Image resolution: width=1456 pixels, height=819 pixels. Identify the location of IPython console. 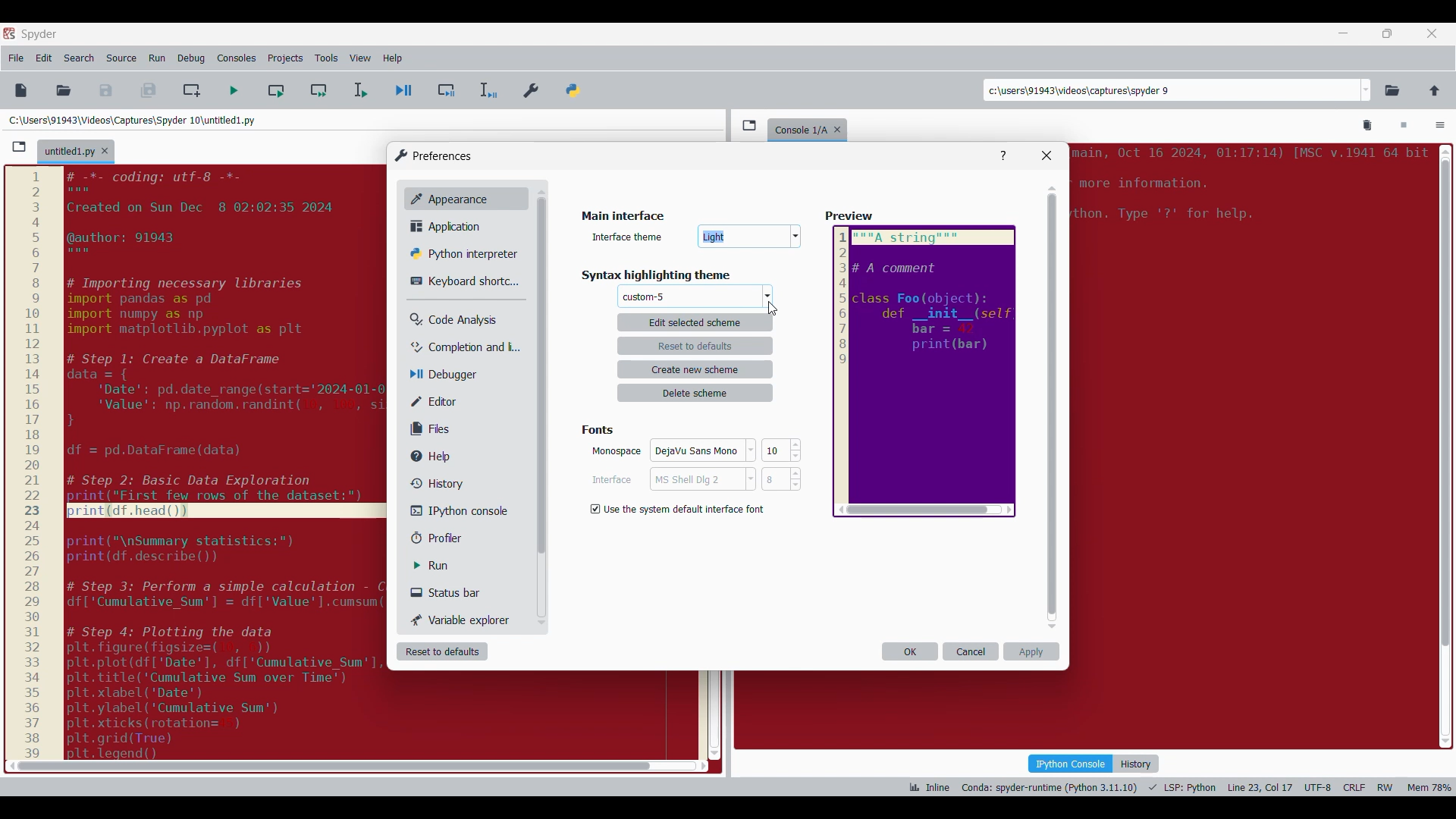
(1070, 763).